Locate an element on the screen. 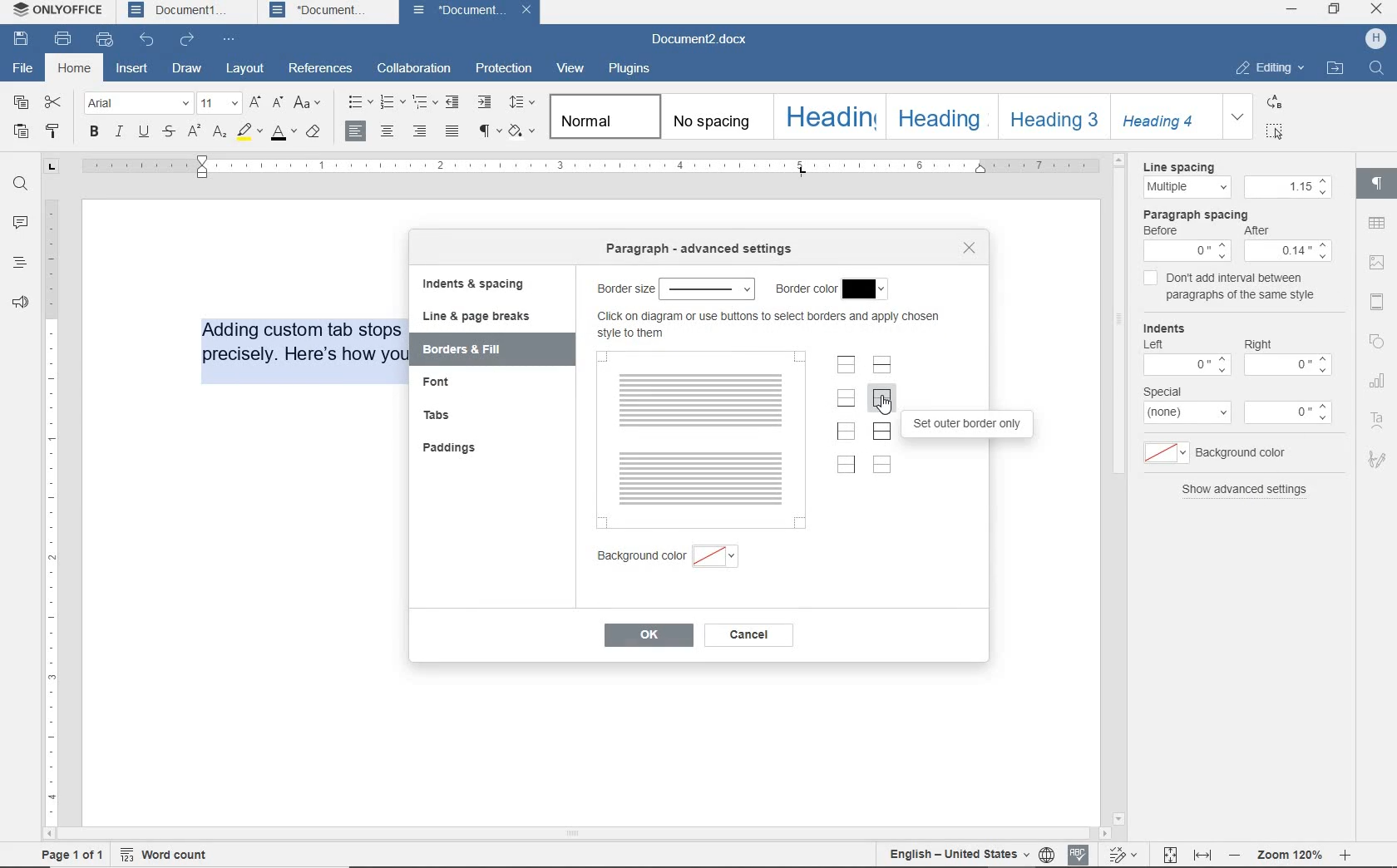  font is located at coordinates (443, 382).